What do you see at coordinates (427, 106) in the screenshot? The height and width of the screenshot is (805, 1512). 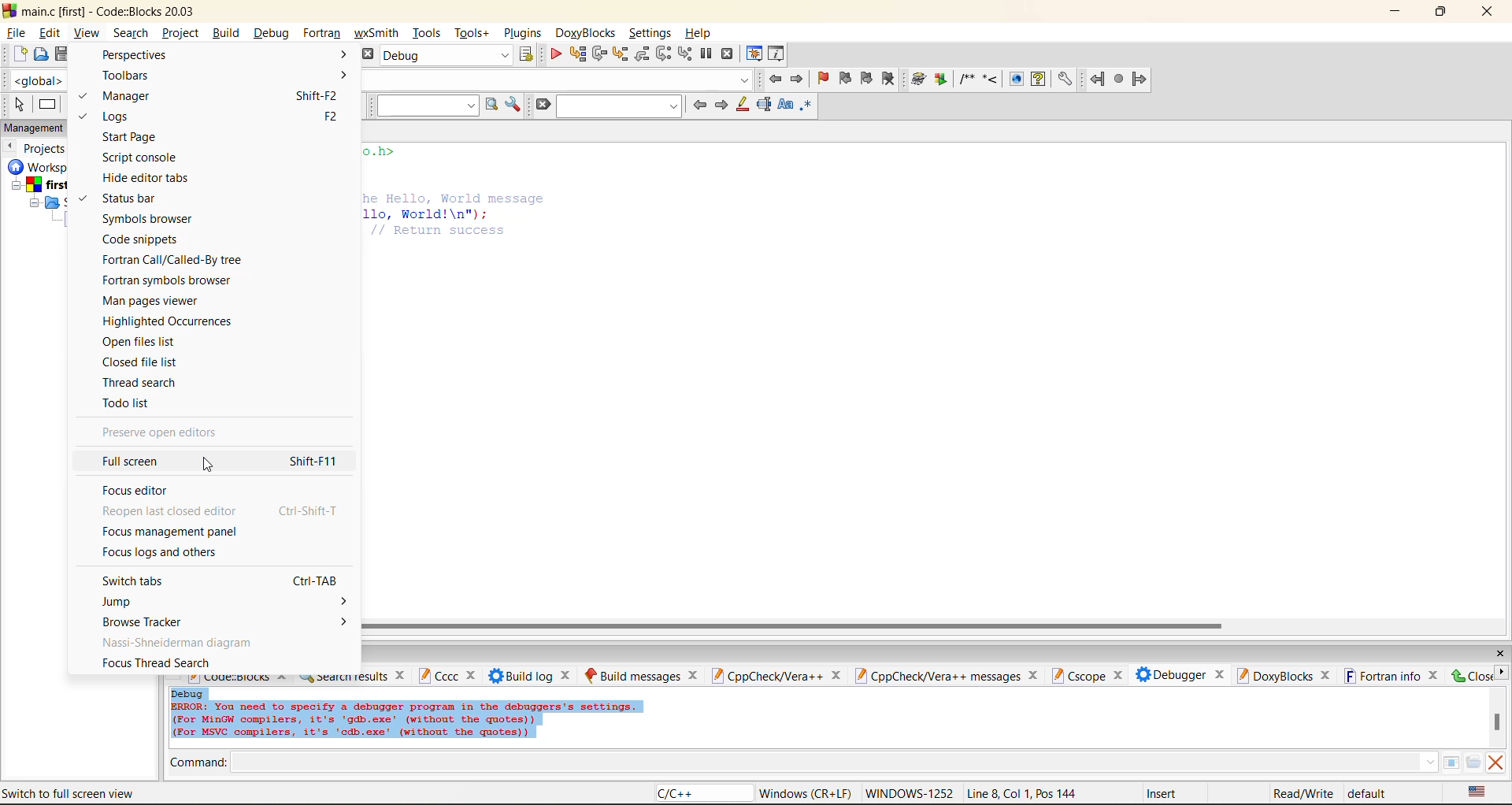 I see `text to search` at bounding box center [427, 106].